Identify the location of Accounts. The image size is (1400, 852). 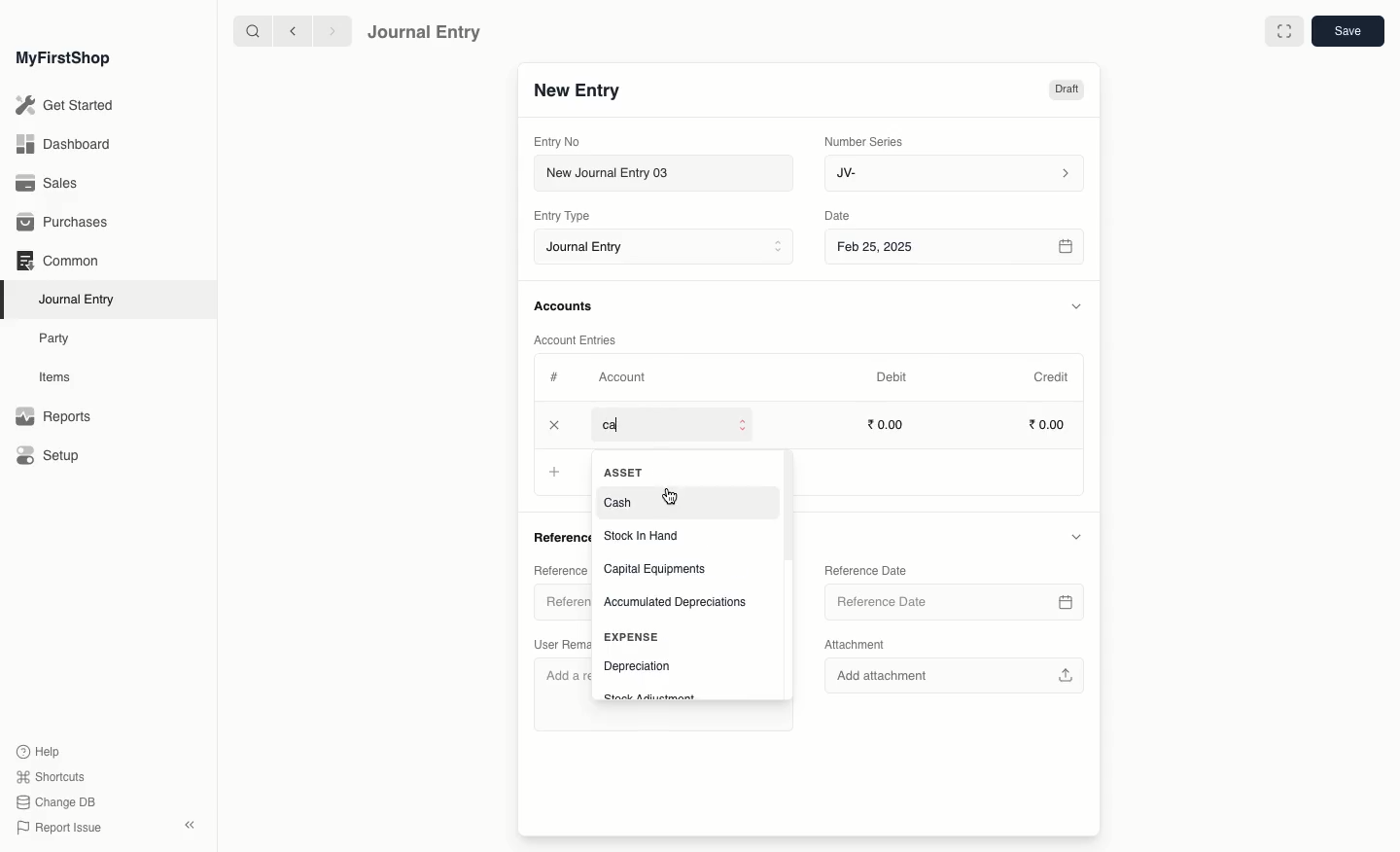
(565, 306).